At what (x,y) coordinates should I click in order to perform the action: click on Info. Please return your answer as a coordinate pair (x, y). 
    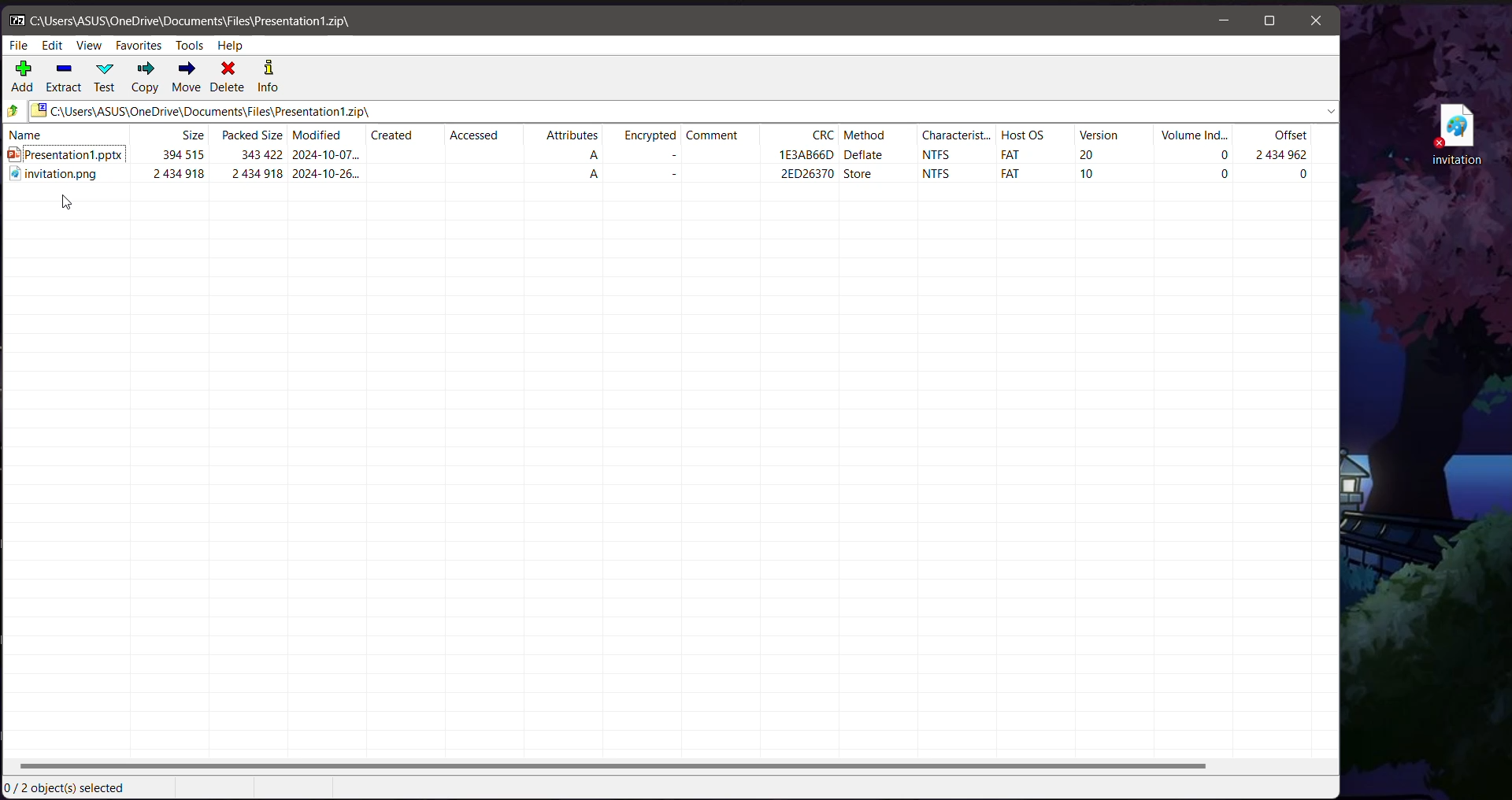
    Looking at the image, I should click on (267, 78).